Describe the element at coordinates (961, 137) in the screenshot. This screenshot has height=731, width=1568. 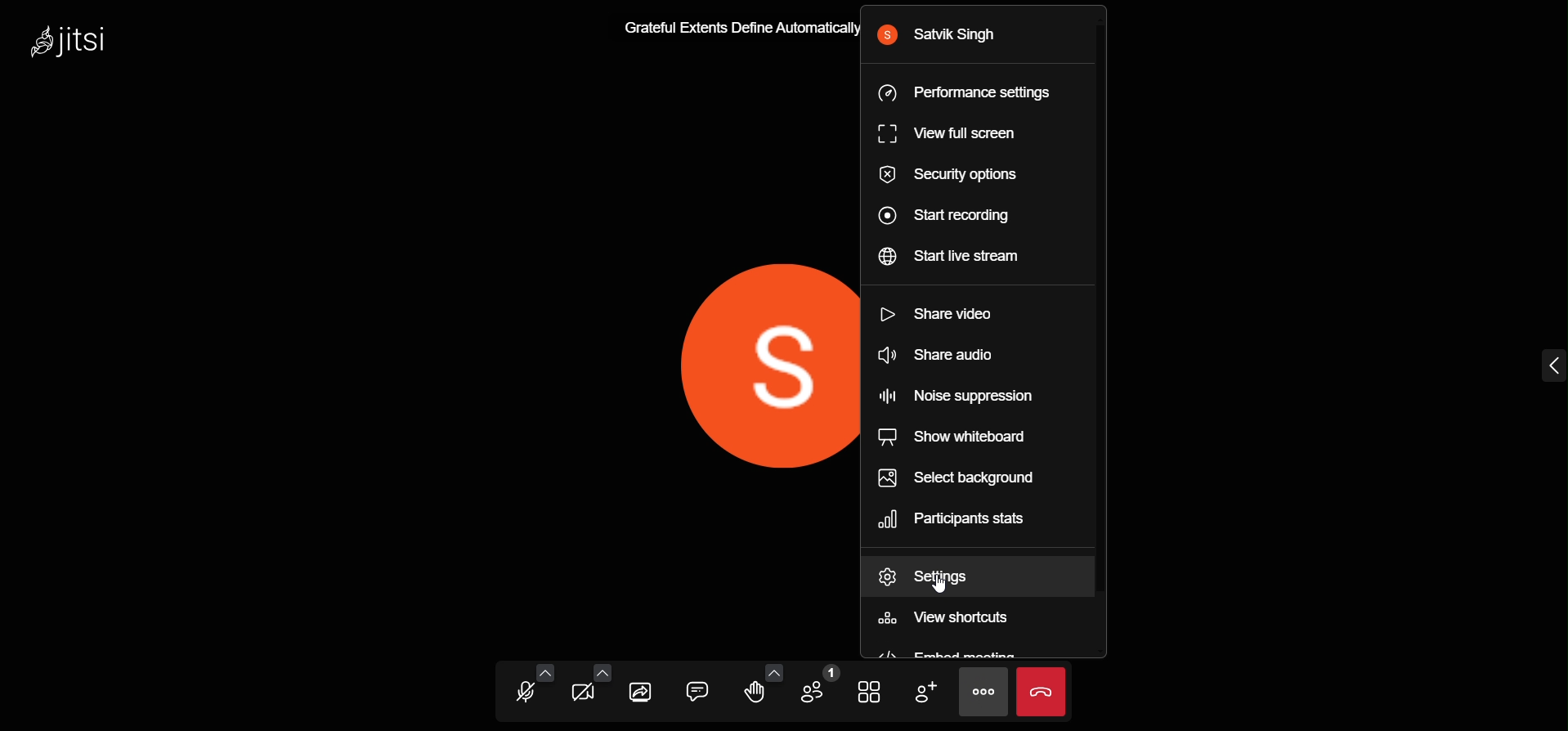
I see `view full screen` at that location.